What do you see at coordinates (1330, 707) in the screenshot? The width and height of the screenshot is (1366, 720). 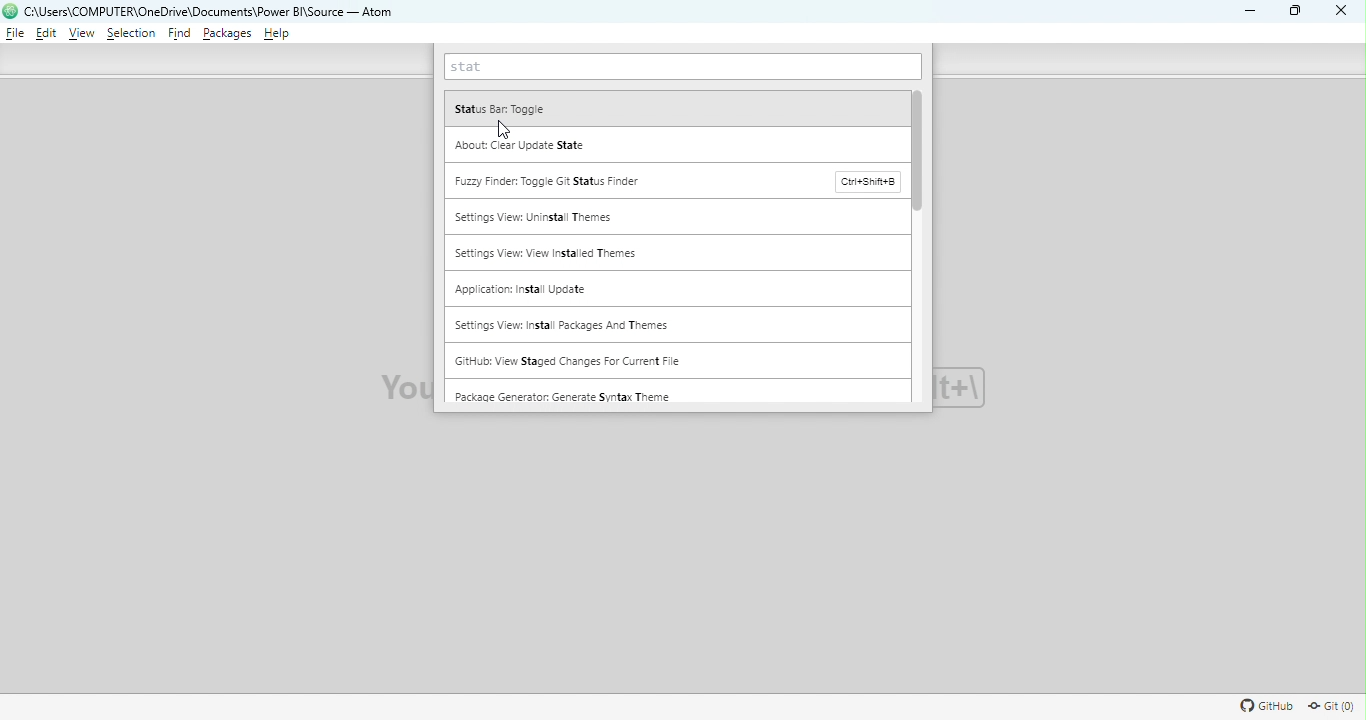 I see `Git repository` at bounding box center [1330, 707].